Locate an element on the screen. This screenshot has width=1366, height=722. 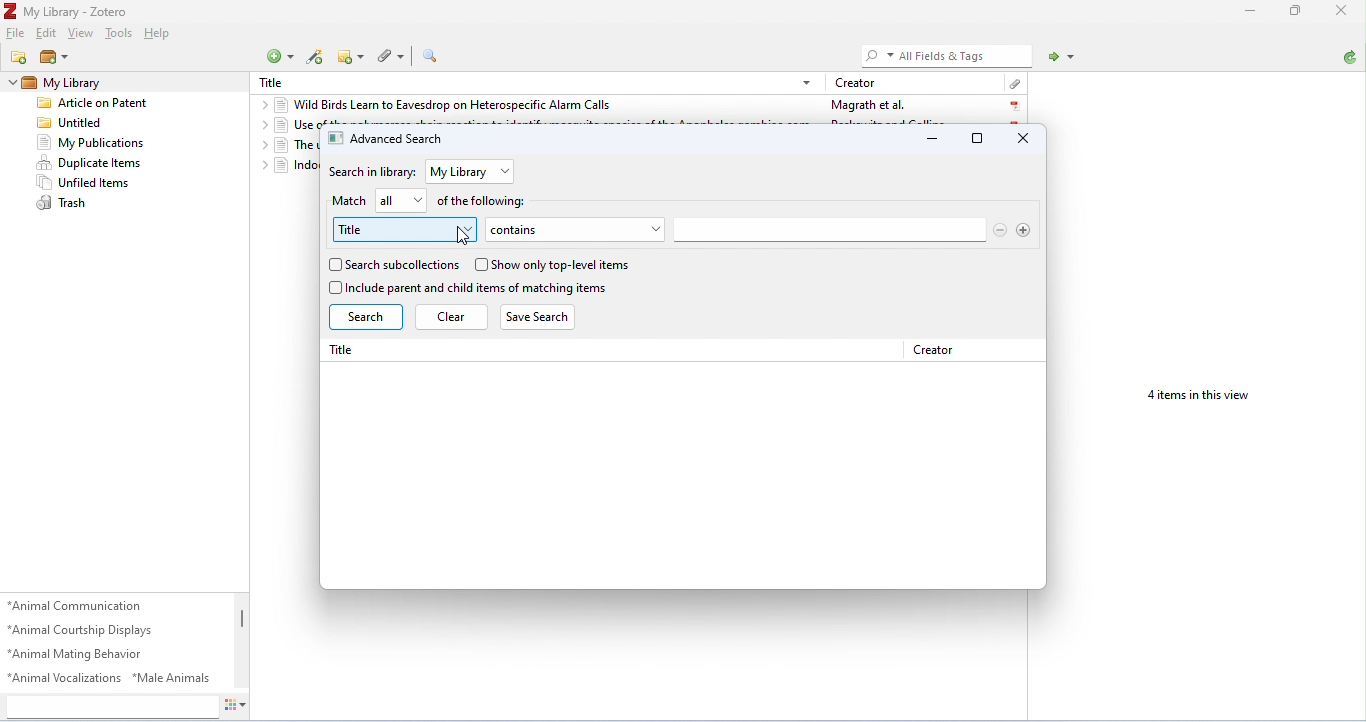
search tags is located at coordinates (110, 705).